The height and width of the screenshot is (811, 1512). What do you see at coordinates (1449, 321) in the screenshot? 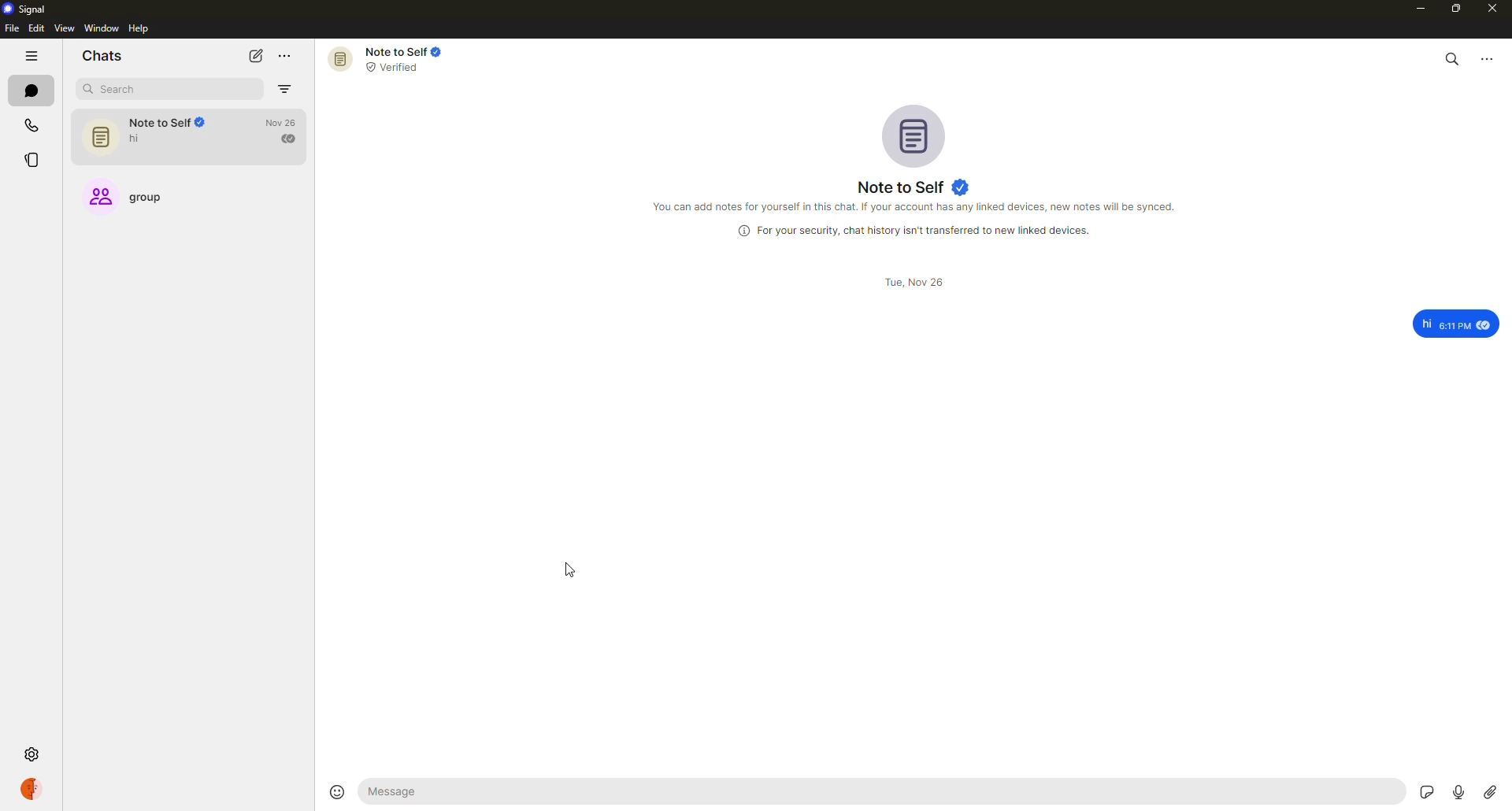
I see `message` at bounding box center [1449, 321].